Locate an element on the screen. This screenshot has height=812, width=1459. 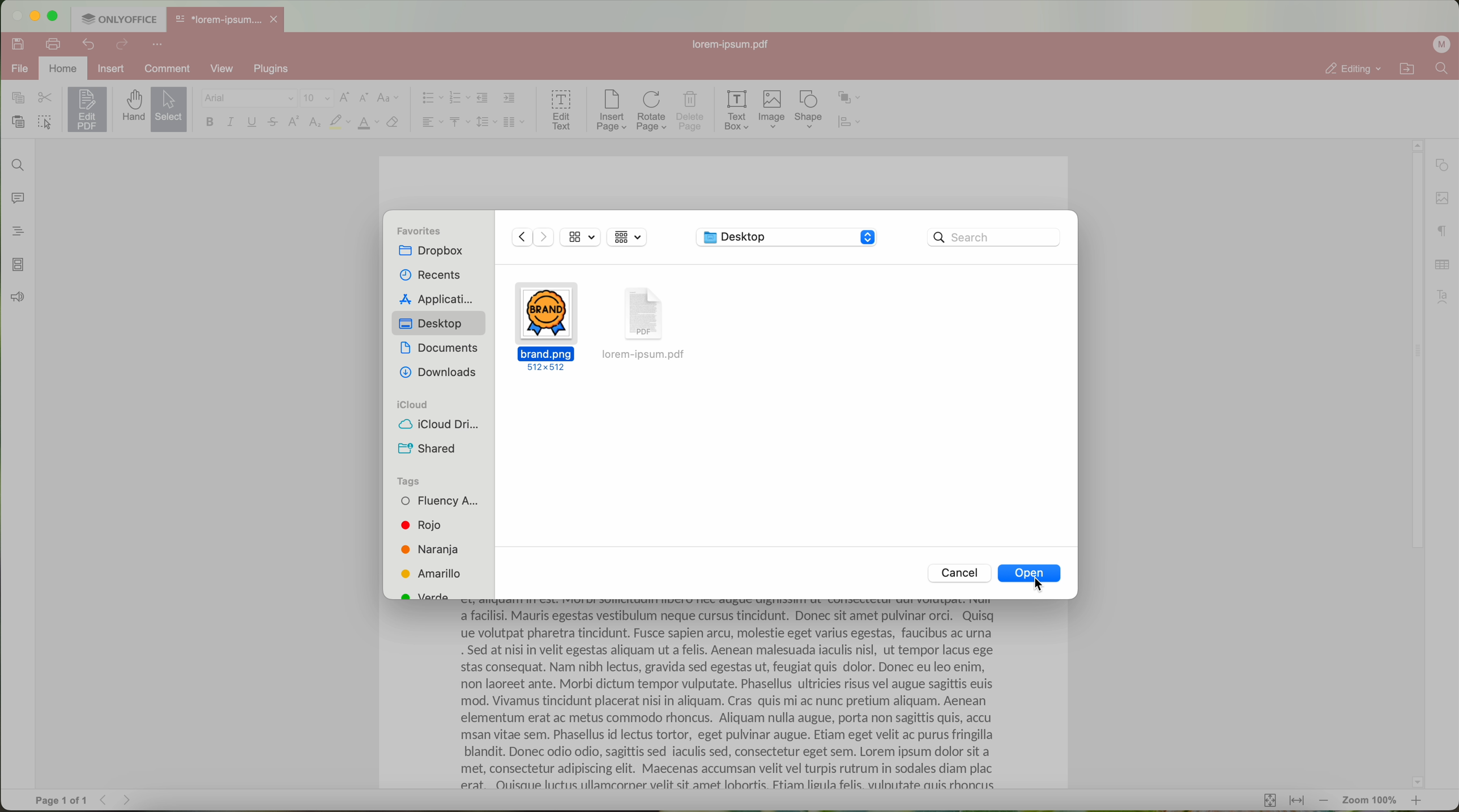
redo is located at coordinates (122, 45).